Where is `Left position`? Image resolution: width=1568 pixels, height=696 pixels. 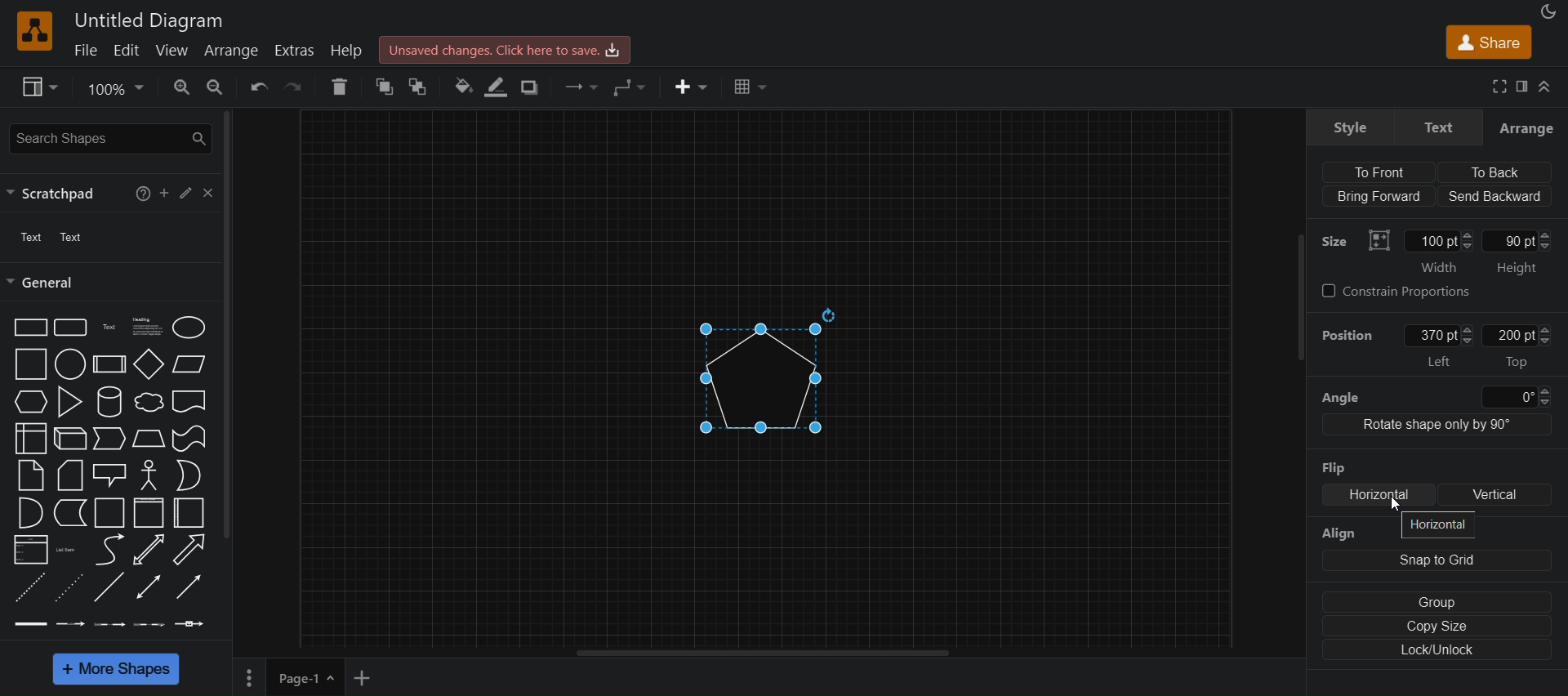 Left position is located at coordinates (1440, 361).